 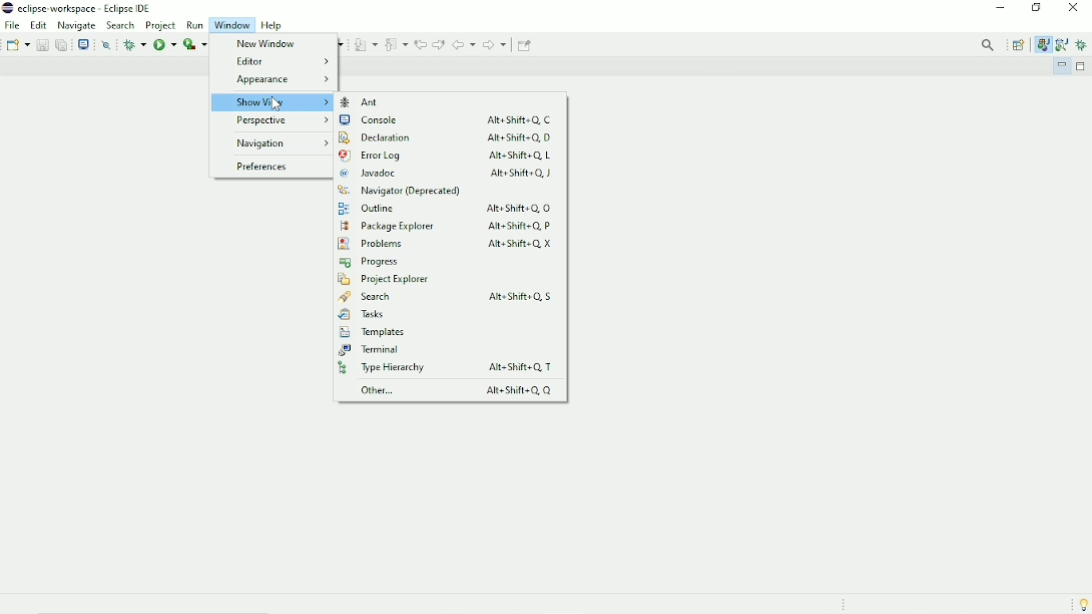 What do you see at coordinates (232, 25) in the screenshot?
I see `Window` at bounding box center [232, 25].